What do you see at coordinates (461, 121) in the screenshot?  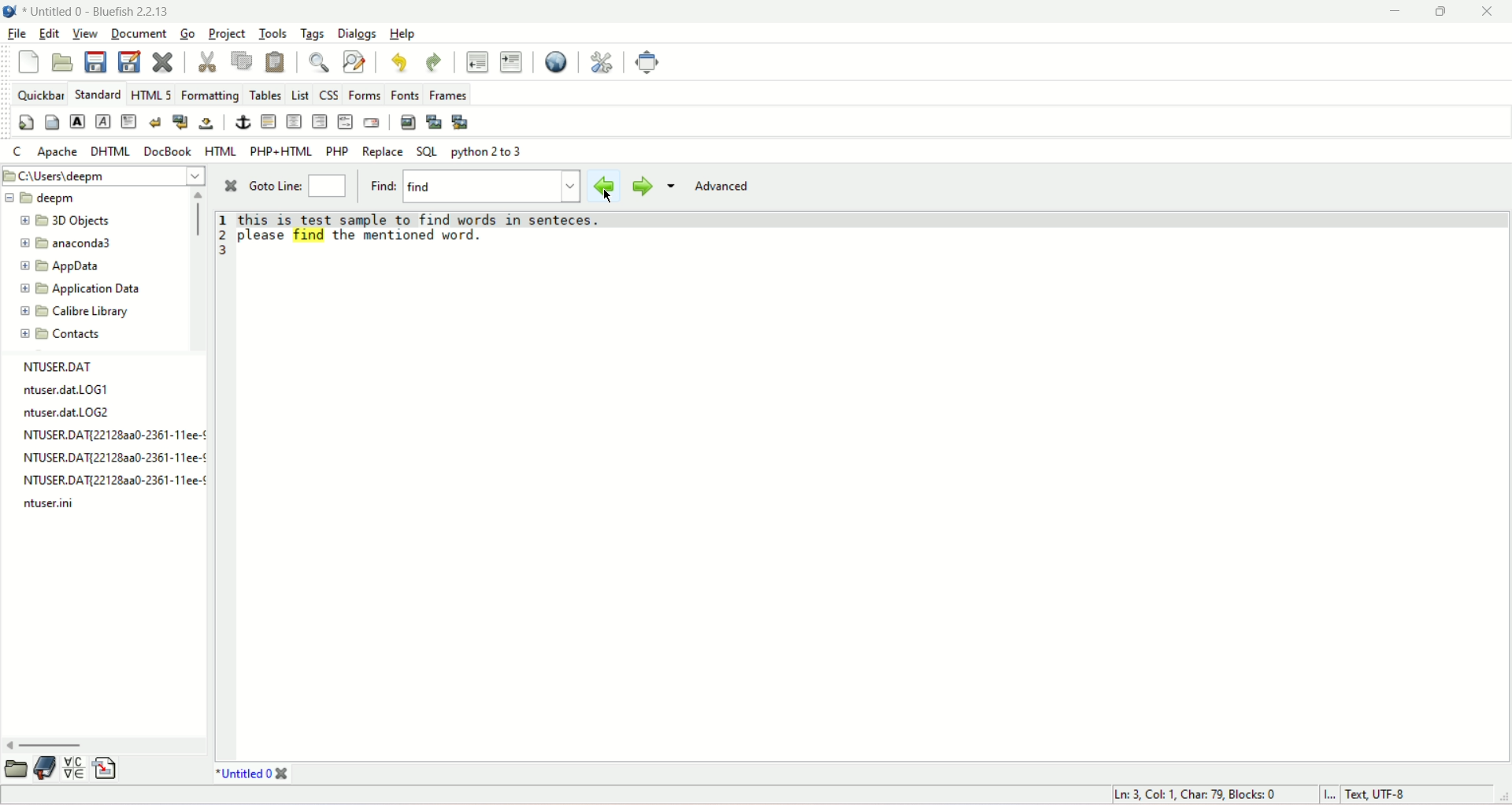 I see `multi thumbnail` at bounding box center [461, 121].